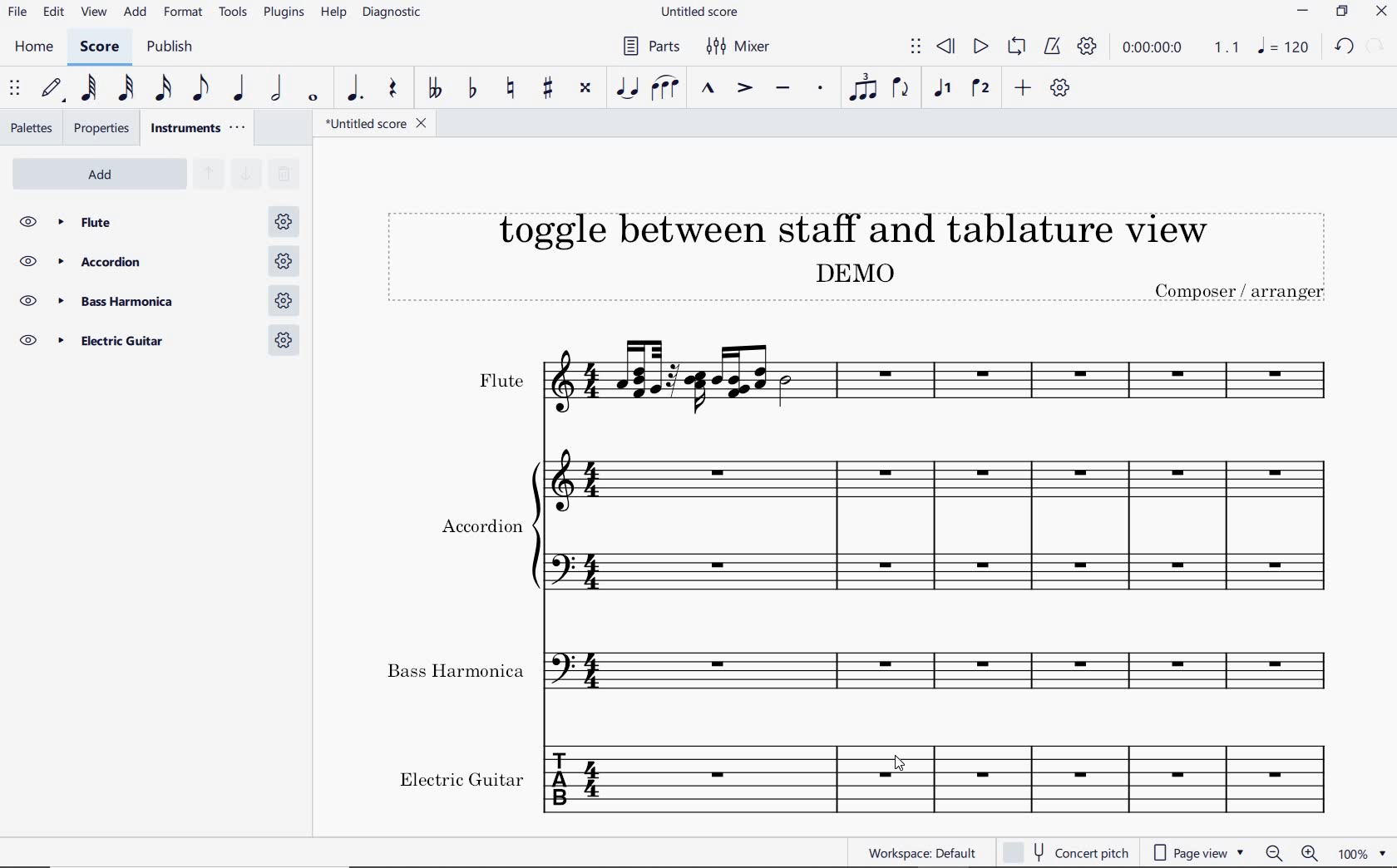 This screenshot has width=1397, height=868. I want to click on parts, so click(649, 47).